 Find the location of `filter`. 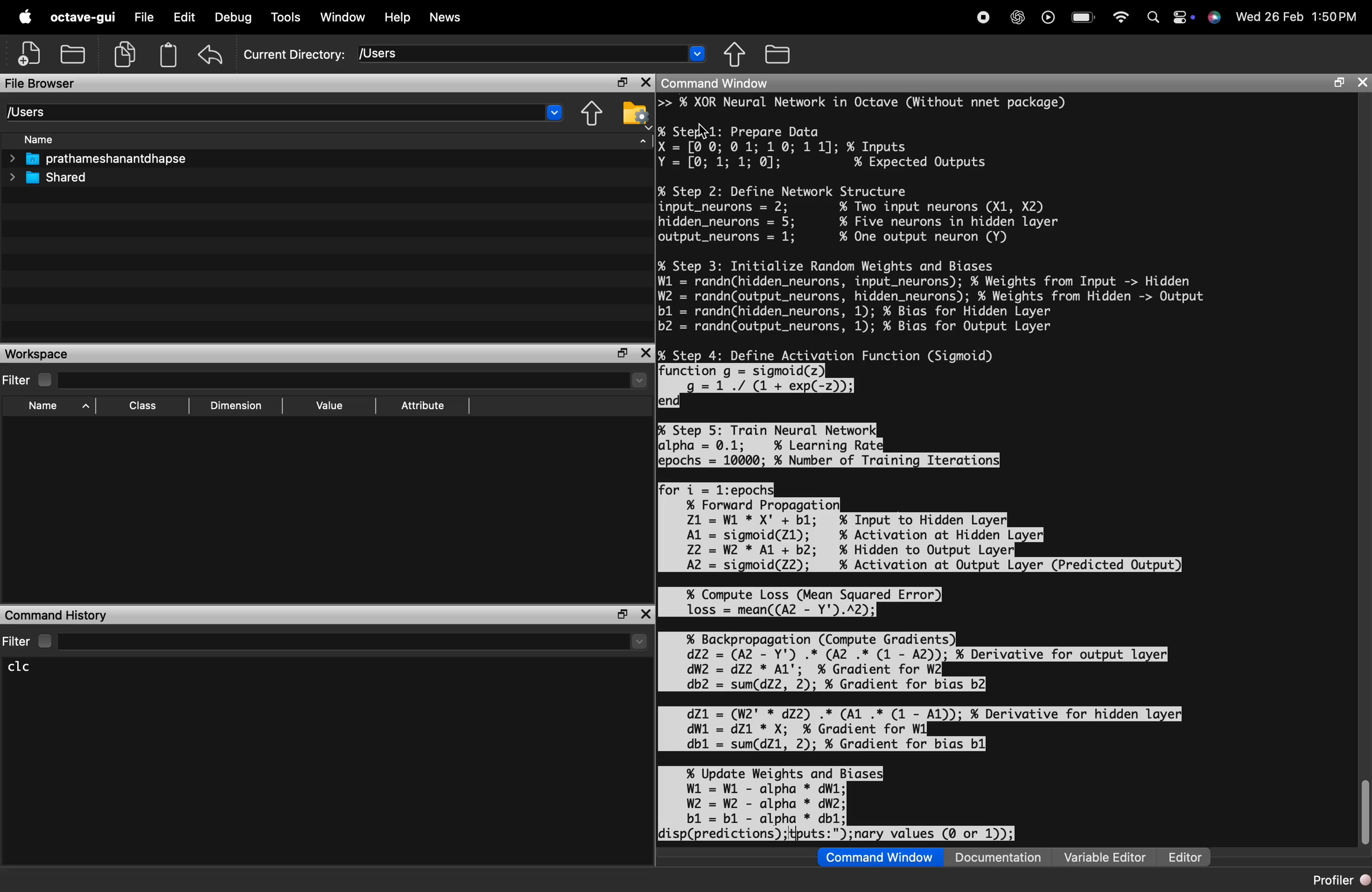

filter is located at coordinates (326, 380).